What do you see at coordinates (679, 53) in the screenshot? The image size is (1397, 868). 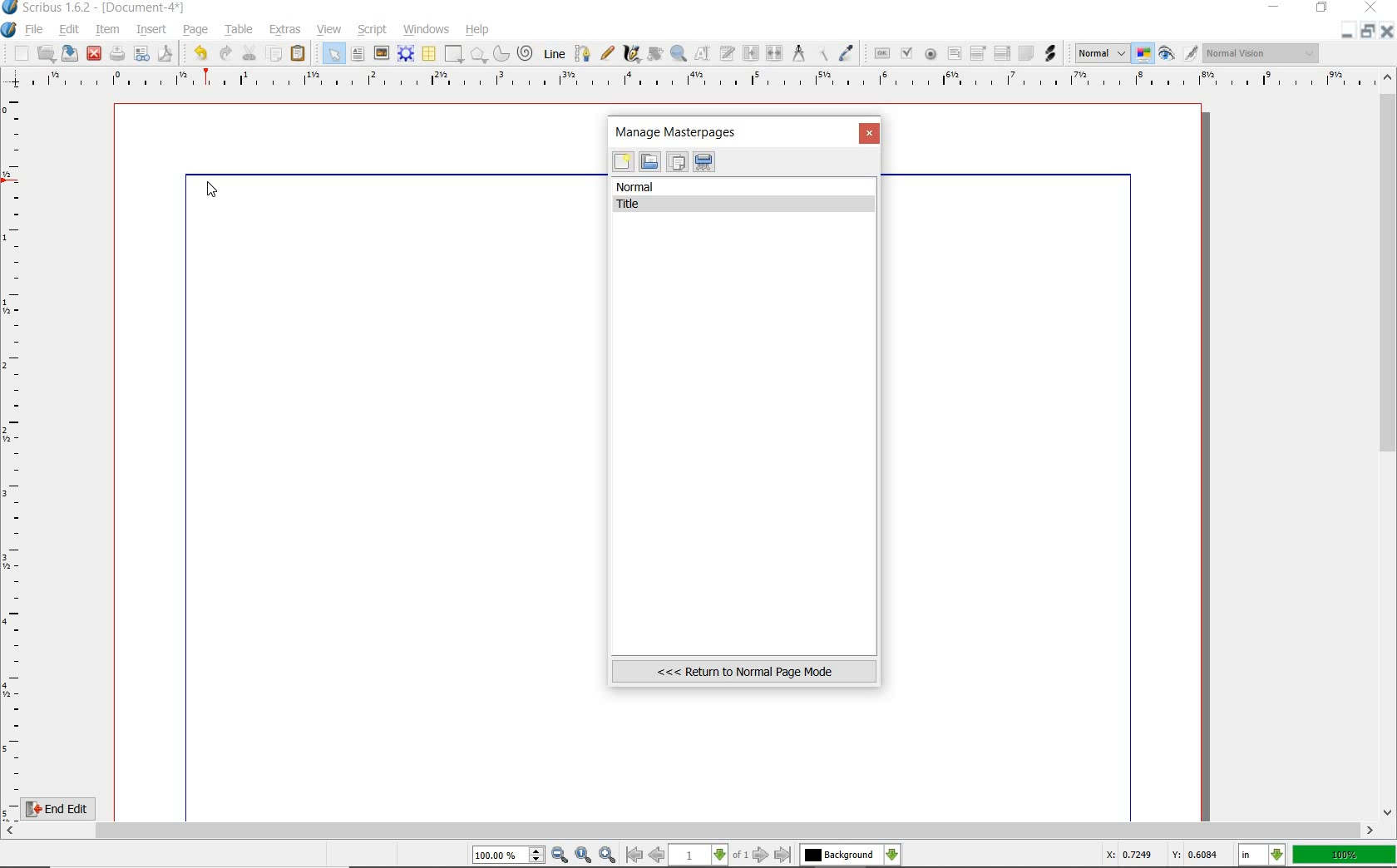 I see `zoom in or zoom out` at bounding box center [679, 53].